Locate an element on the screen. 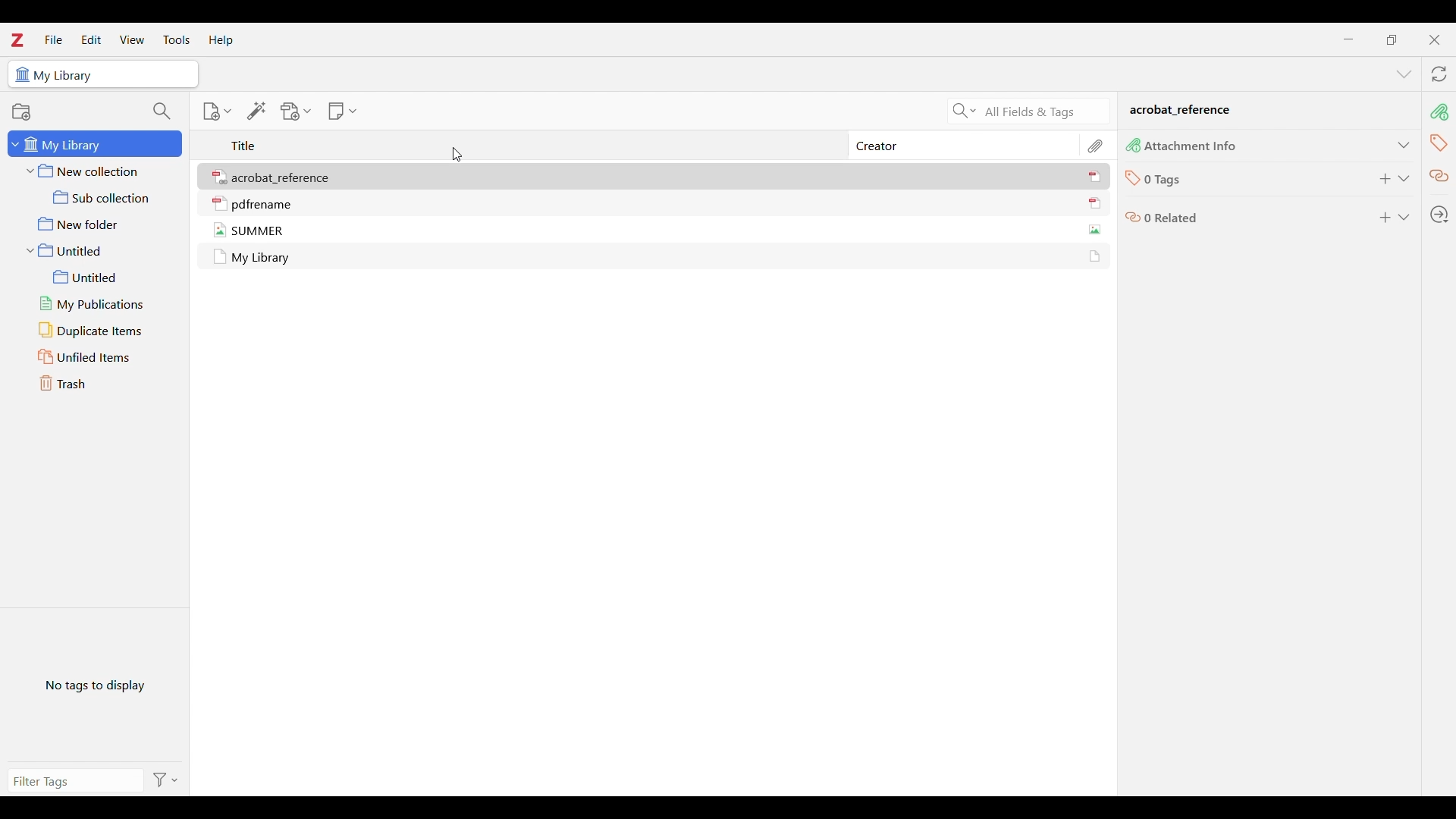 The height and width of the screenshot is (819, 1456). Add item/s by identifier is located at coordinates (257, 111).